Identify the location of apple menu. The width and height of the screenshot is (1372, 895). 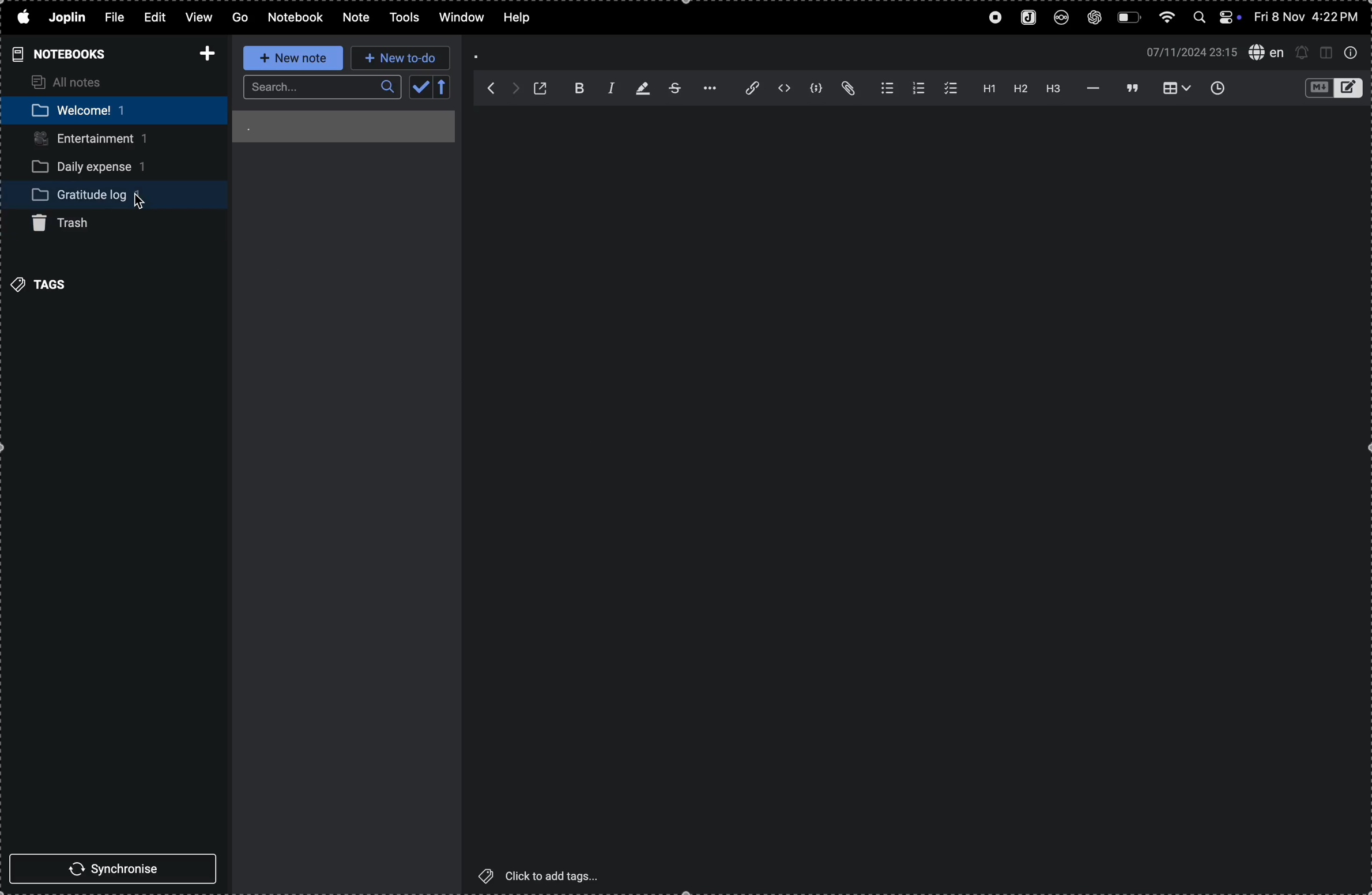
(22, 17).